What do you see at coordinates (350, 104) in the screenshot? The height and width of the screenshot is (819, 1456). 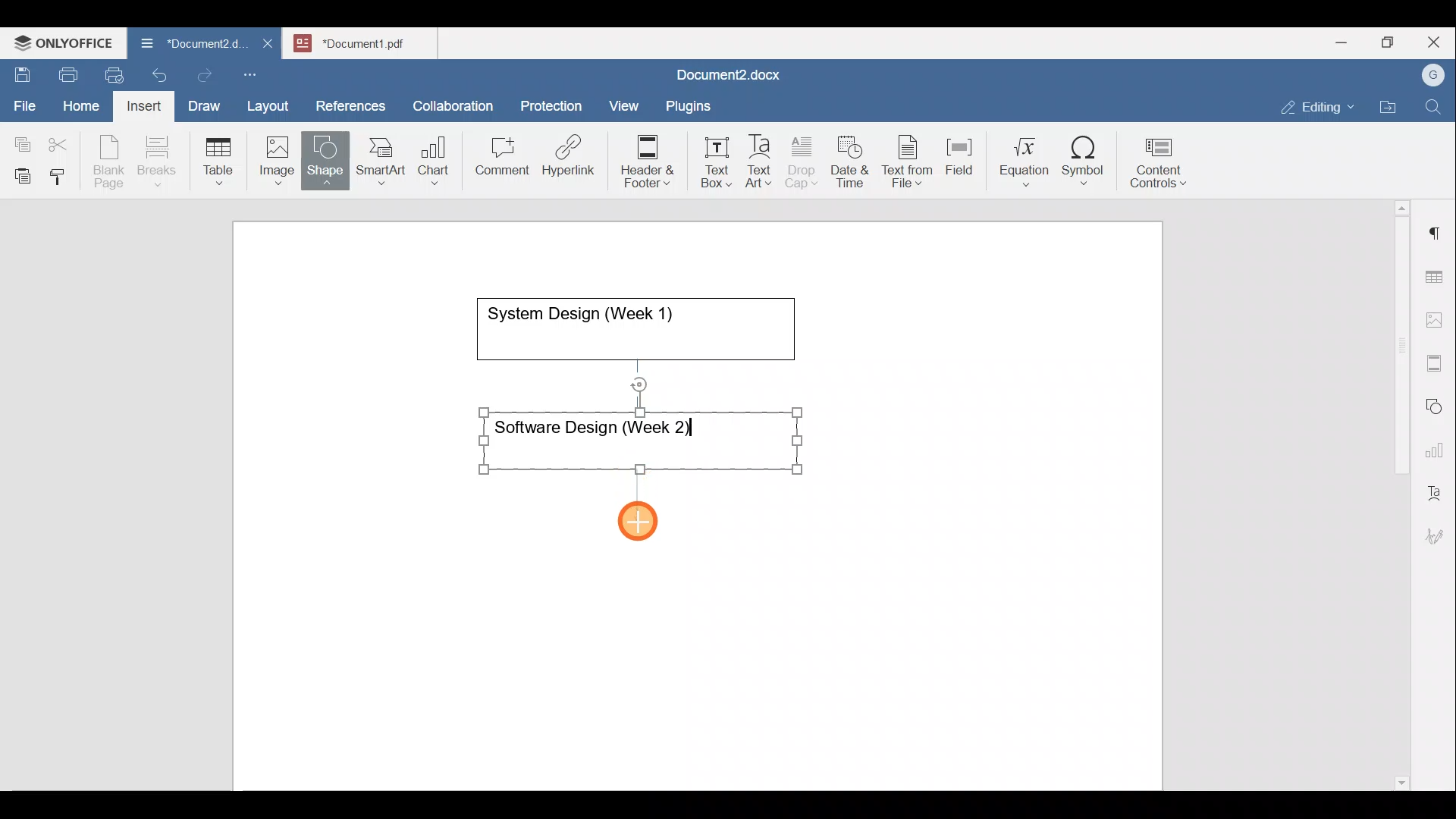 I see `References` at bounding box center [350, 104].